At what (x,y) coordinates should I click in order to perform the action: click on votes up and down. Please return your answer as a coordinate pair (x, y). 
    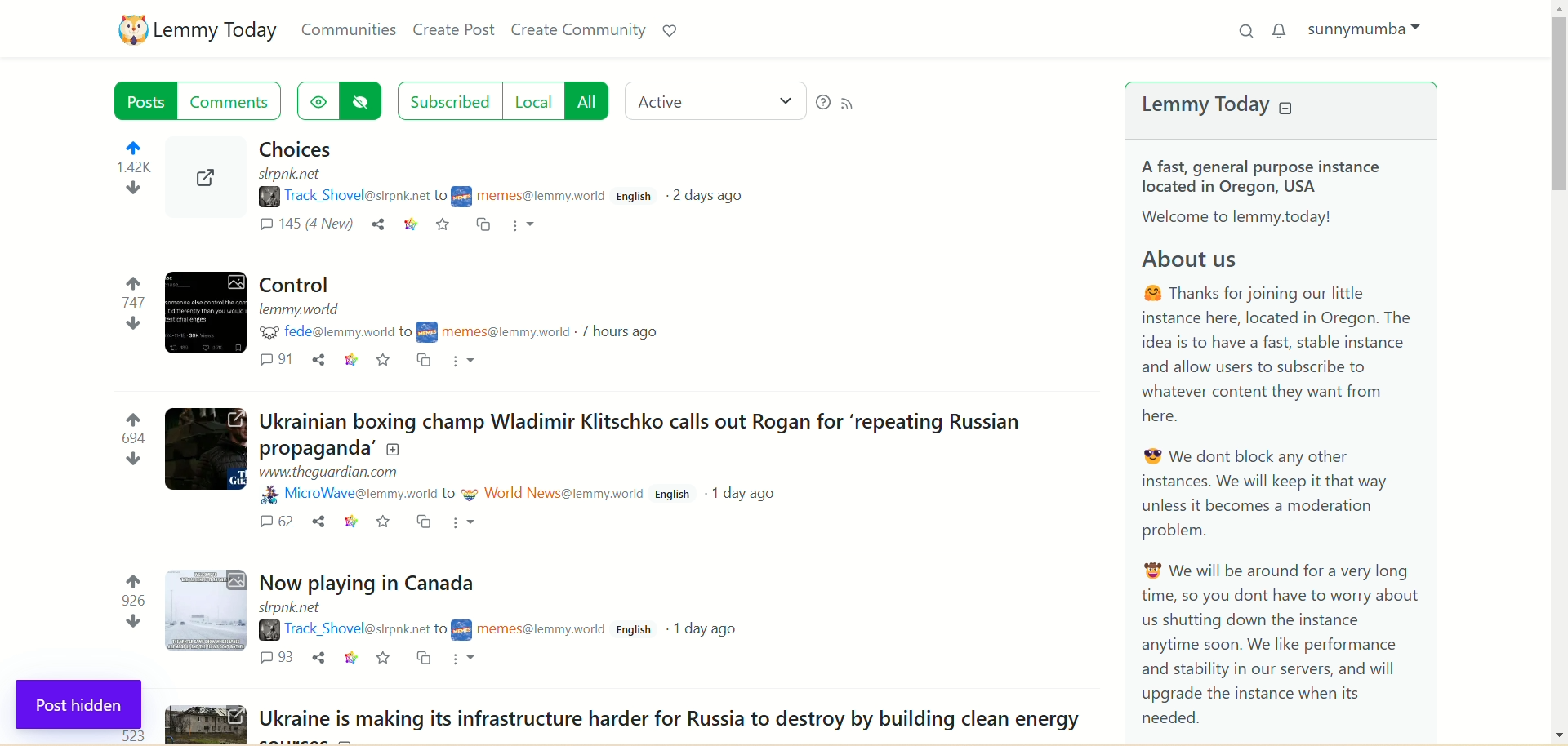
    Looking at the image, I should click on (121, 179).